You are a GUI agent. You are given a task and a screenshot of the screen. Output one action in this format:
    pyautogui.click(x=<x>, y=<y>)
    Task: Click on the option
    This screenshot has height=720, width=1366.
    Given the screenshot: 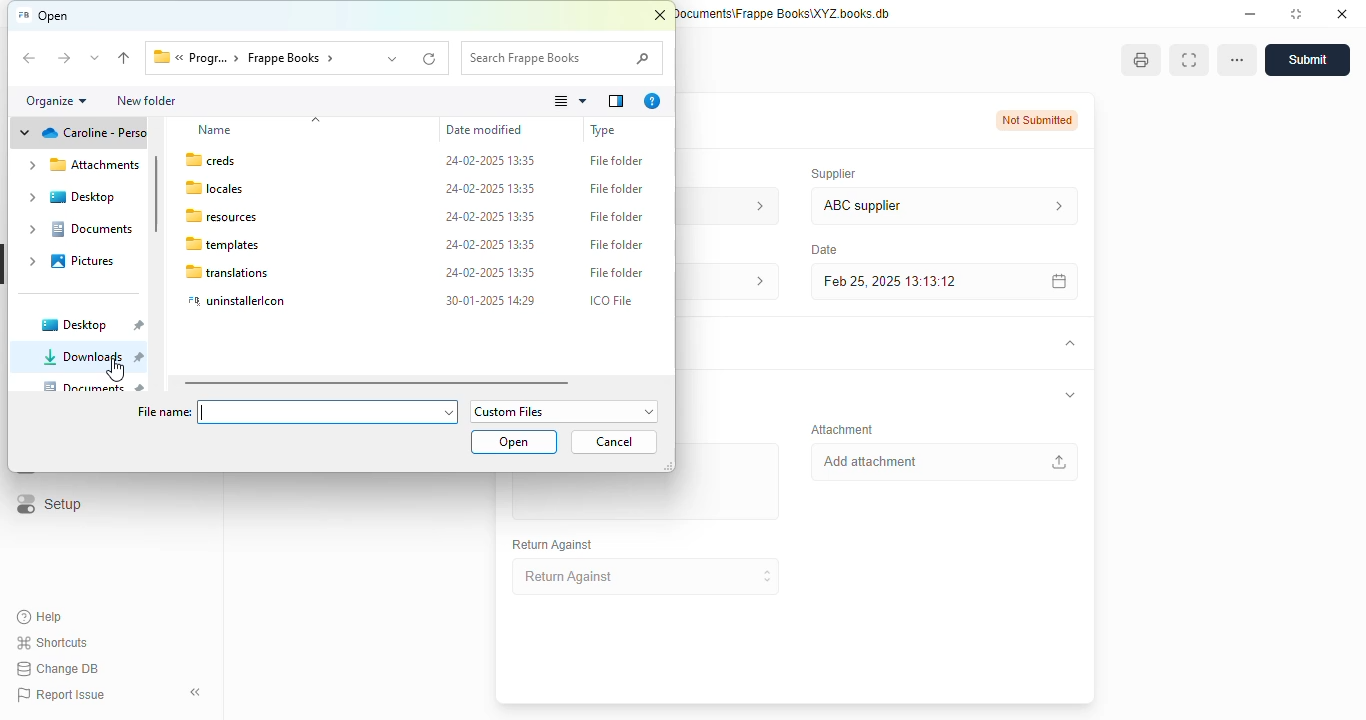 What is the action you would take?
    pyautogui.click(x=1237, y=60)
    